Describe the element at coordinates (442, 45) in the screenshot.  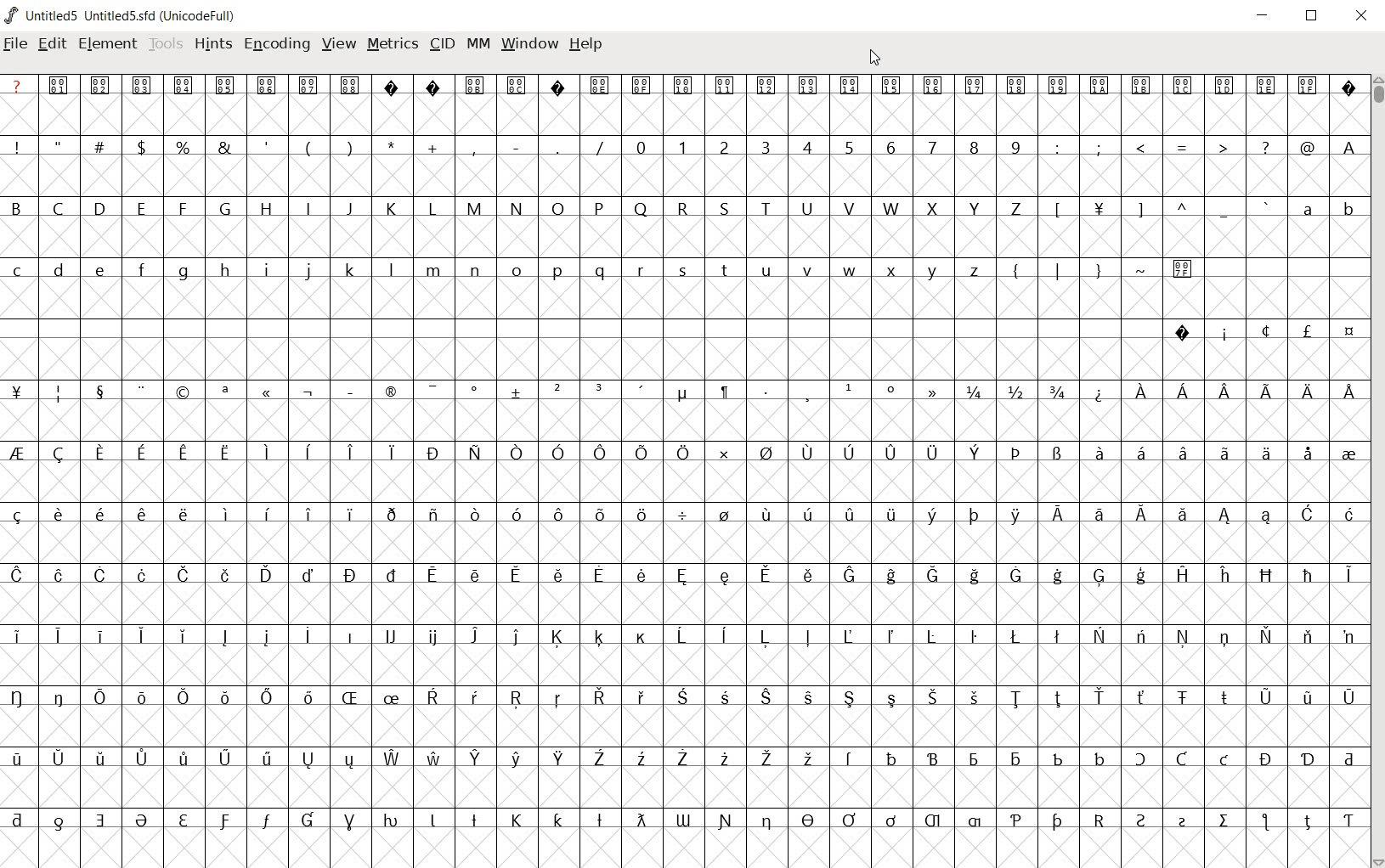
I see `CID` at that location.